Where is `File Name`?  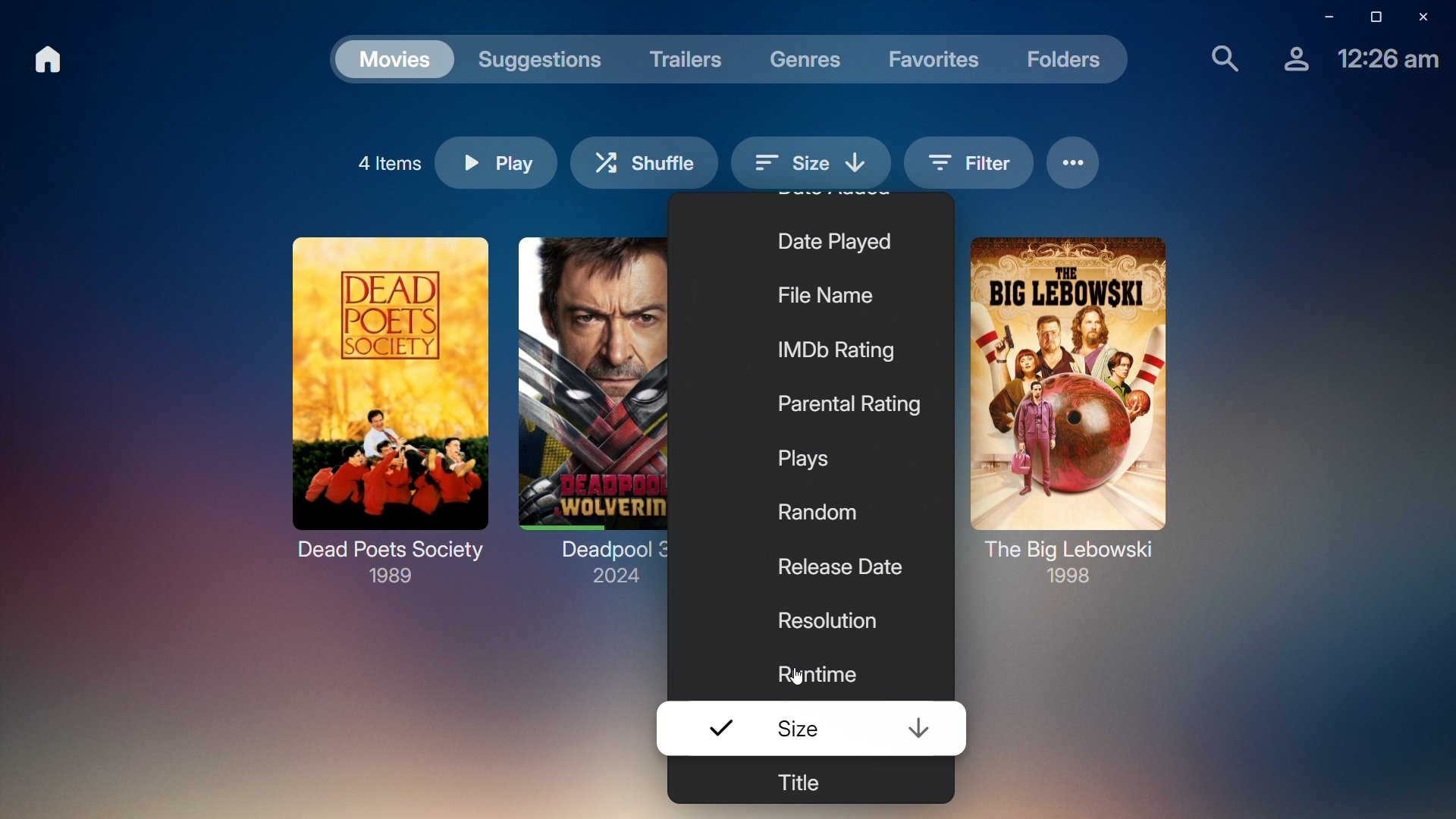 File Name is located at coordinates (814, 292).